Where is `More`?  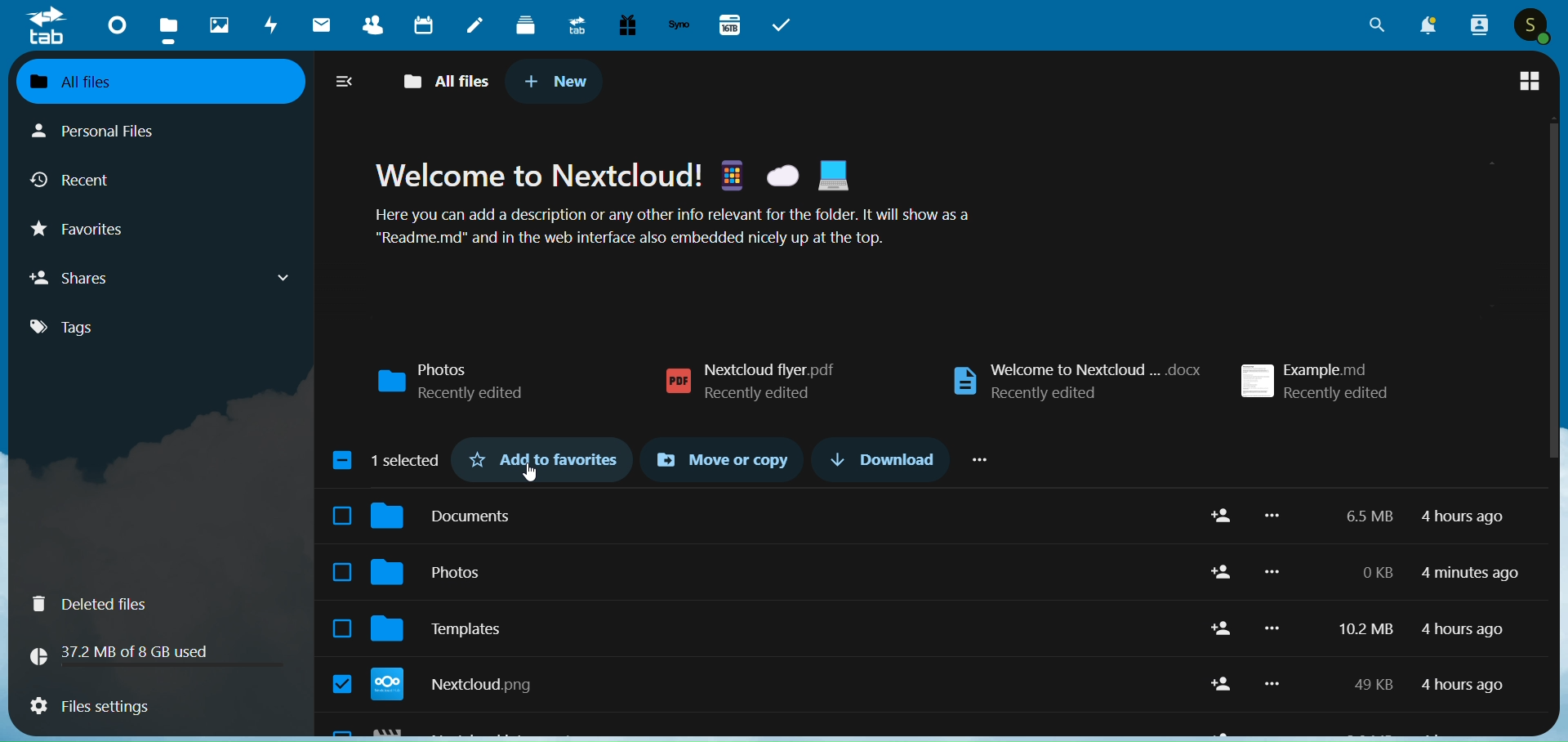 More is located at coordinates (1272, 683).